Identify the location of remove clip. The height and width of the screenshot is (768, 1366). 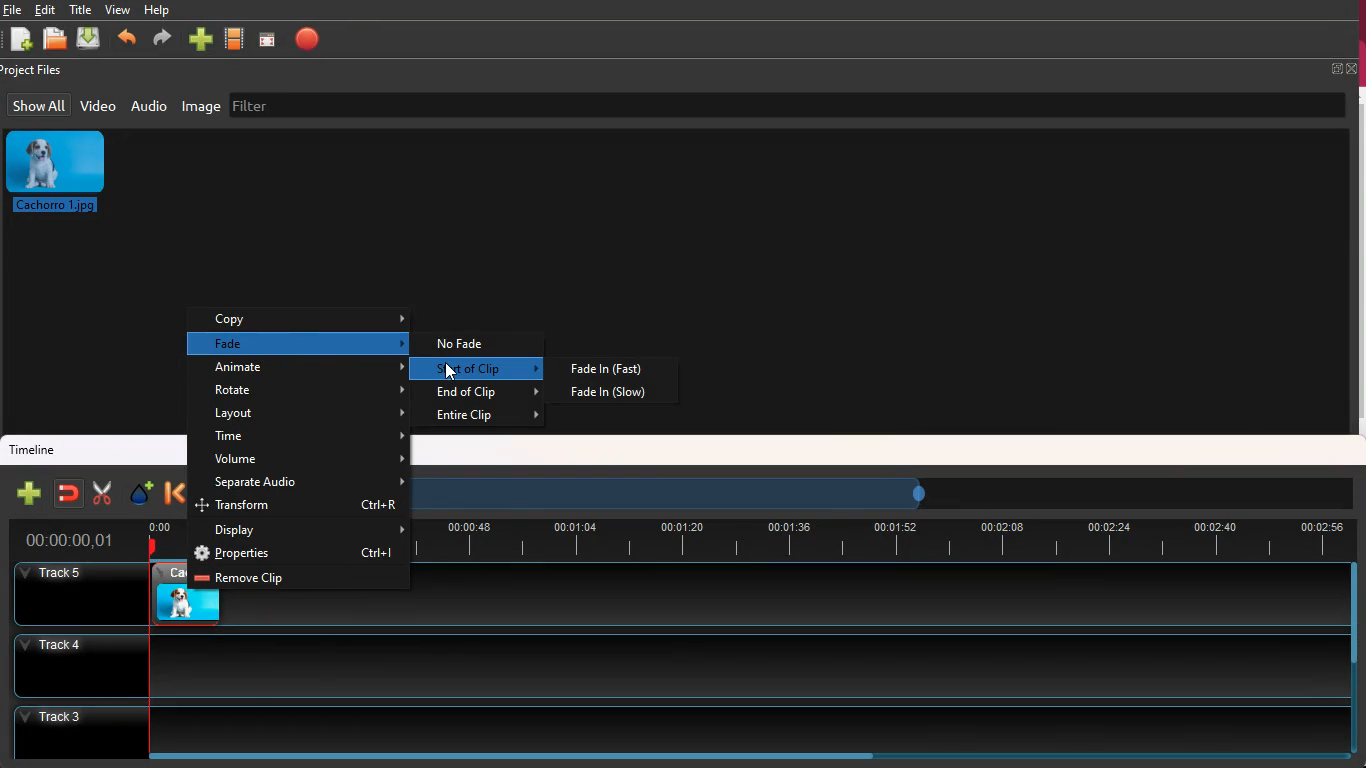
(296, 579).